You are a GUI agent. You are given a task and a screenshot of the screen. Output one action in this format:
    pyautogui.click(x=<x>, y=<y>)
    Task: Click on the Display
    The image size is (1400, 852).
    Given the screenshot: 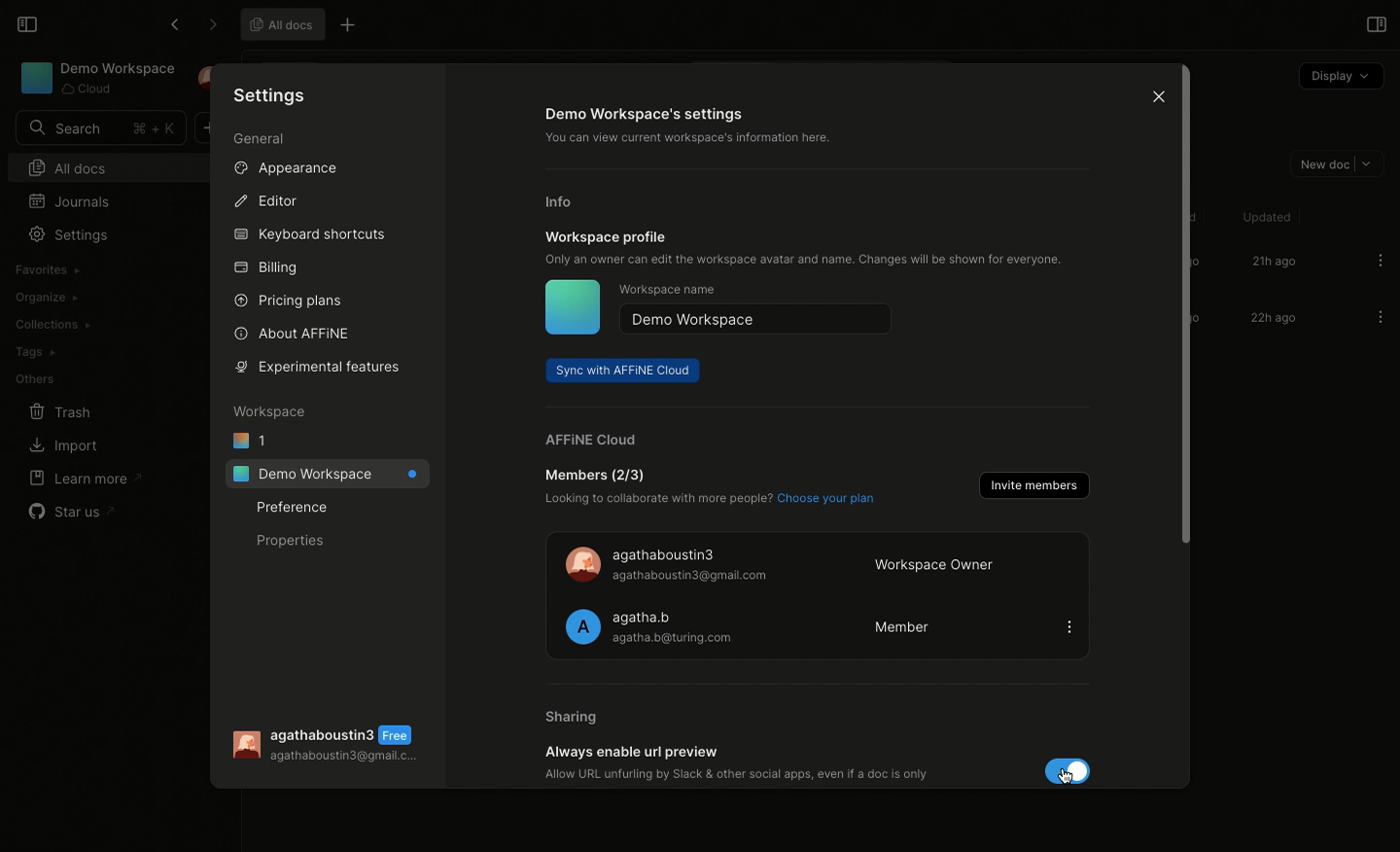 What is the action you would take?
    pyautogui.click(x=1340, y=77)
    